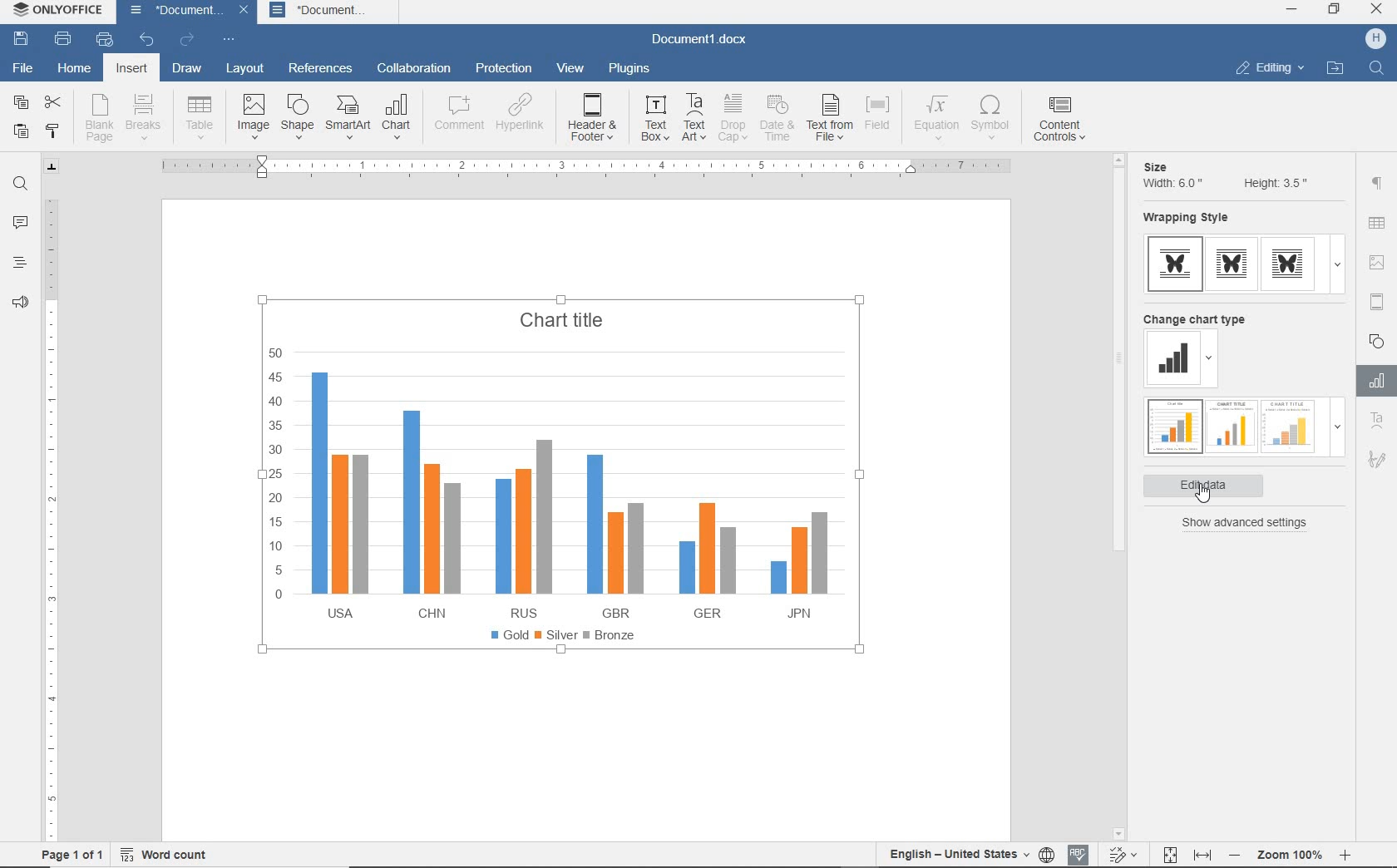 This screenshot has height=868, width=1397. I want to click on change type, so click(1173, 359).